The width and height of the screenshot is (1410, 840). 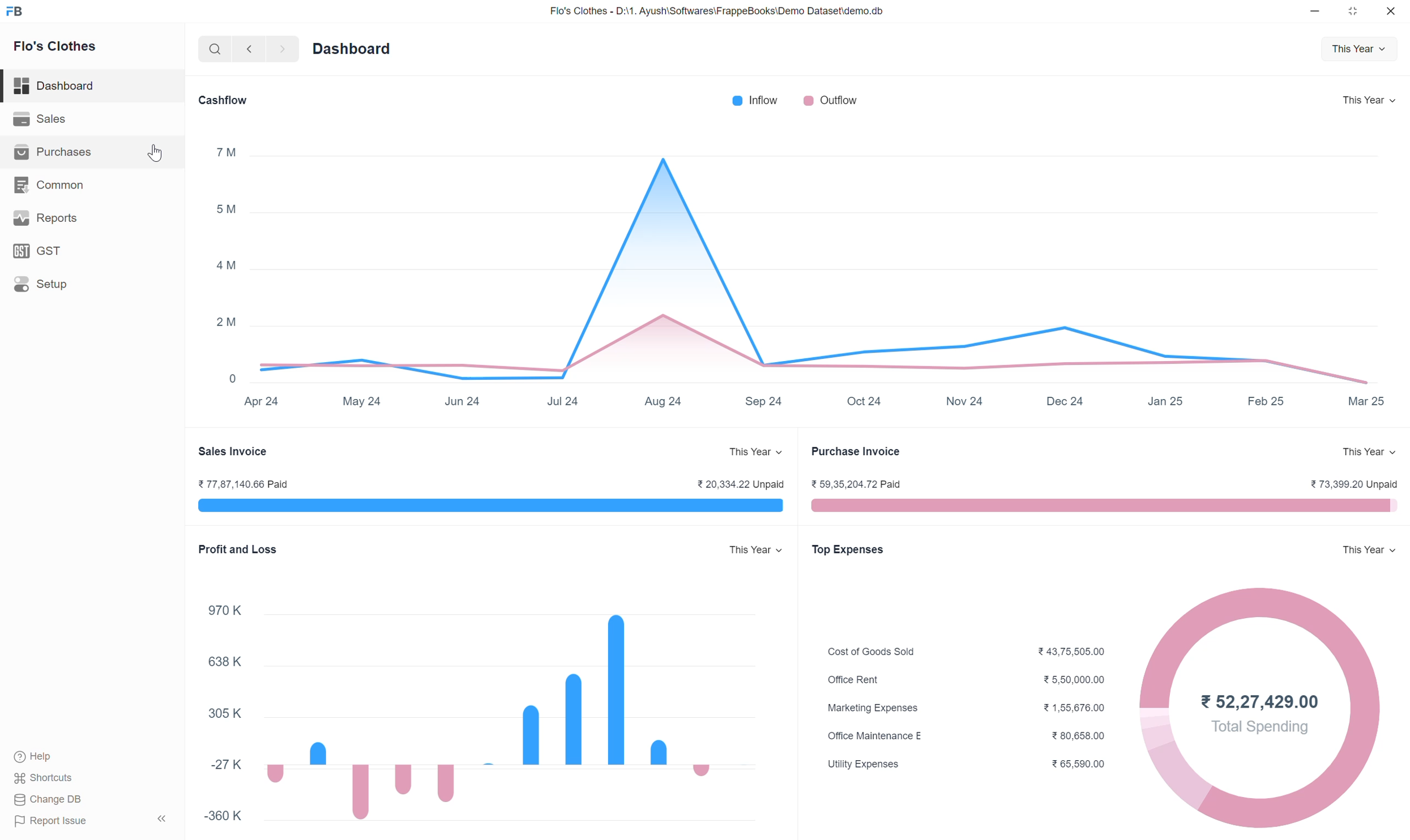 What do you see at coordinates (238, 548) in the screenshot?
I see `Profit and Loss` at bounding box center [238, 548].